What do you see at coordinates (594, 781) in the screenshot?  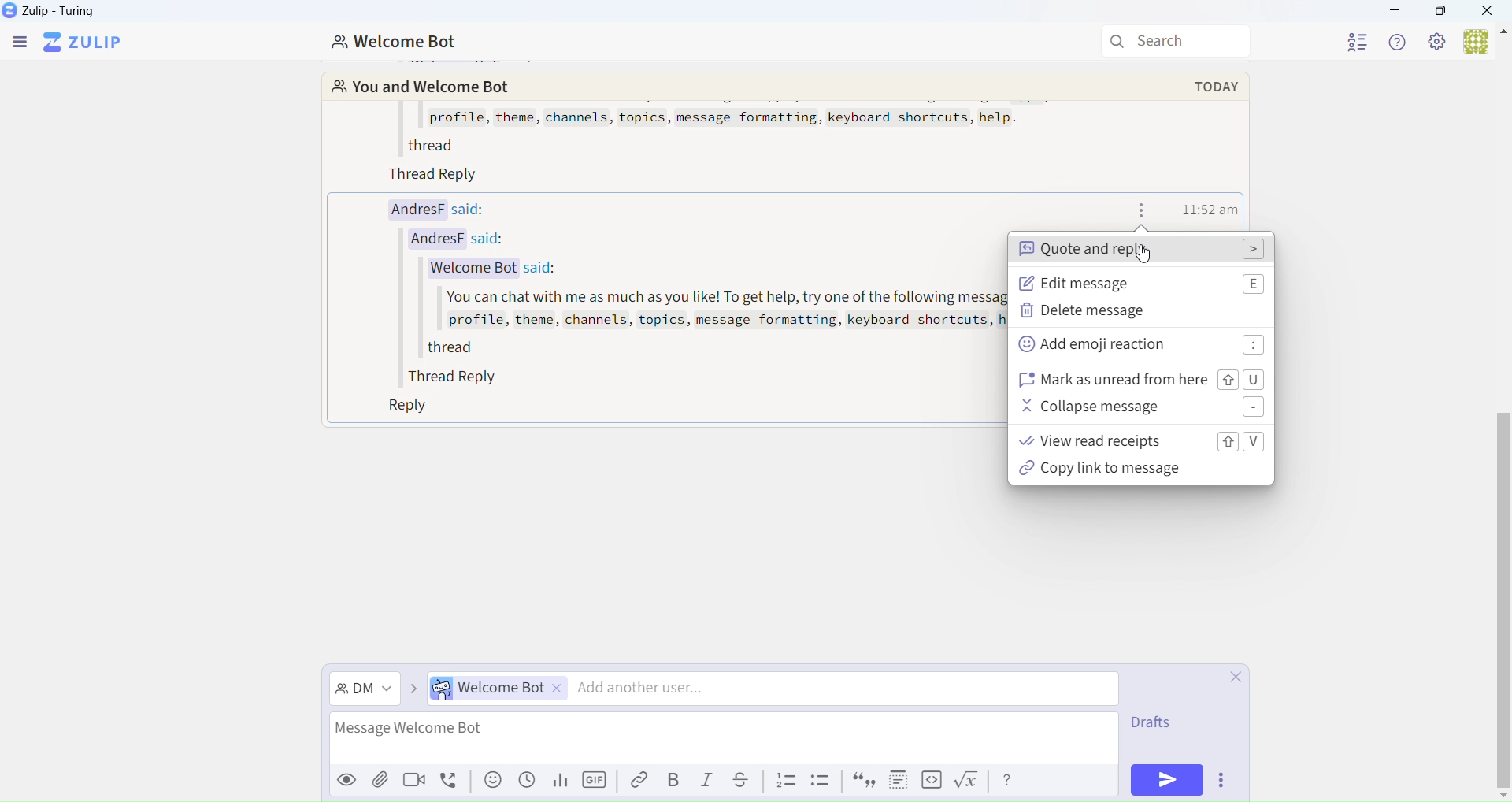 I see `GIF` at bounding box center [594, 781].